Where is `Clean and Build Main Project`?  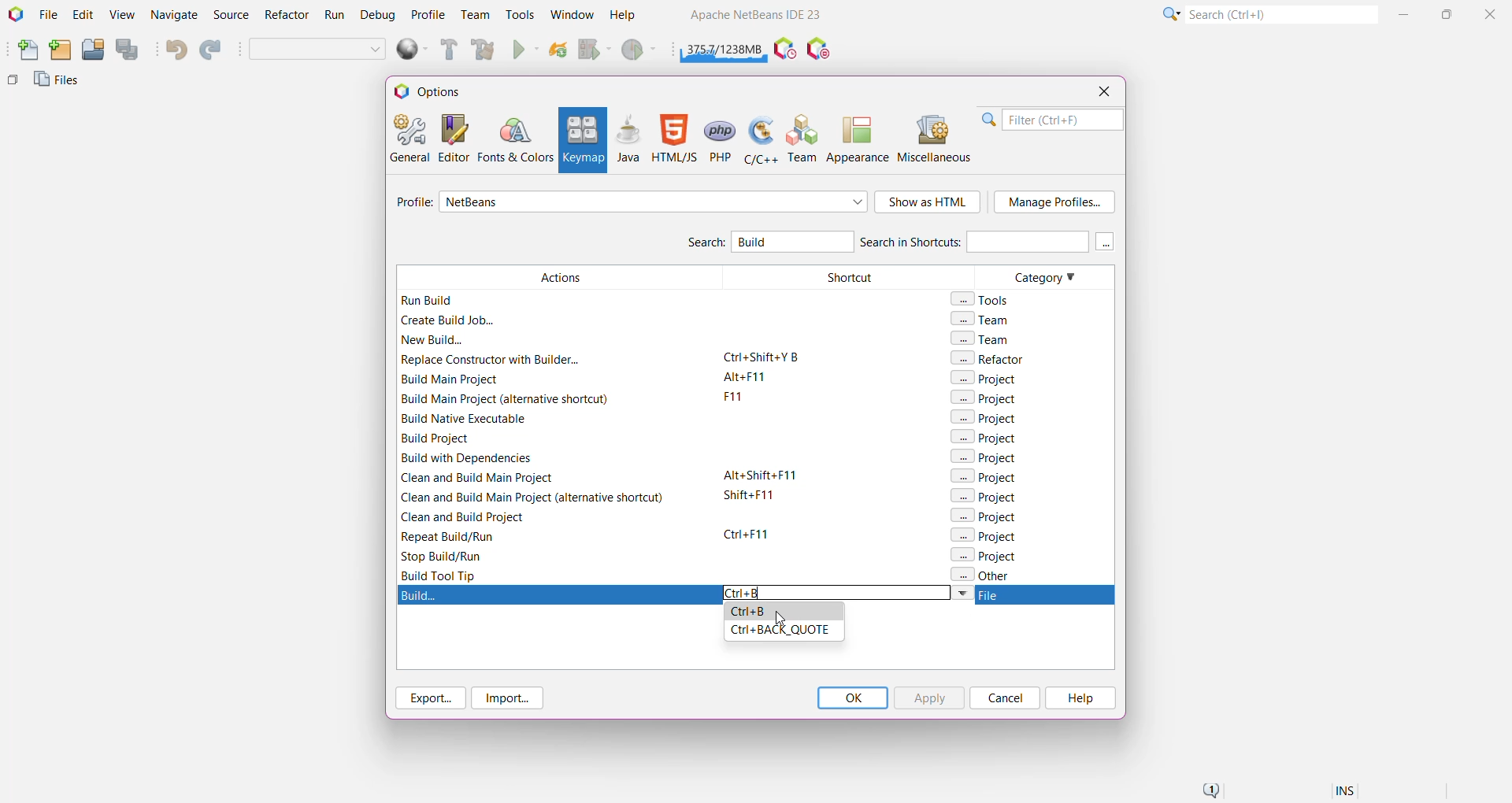 Clean and Build Main Project is located at coordinates (486, 51).